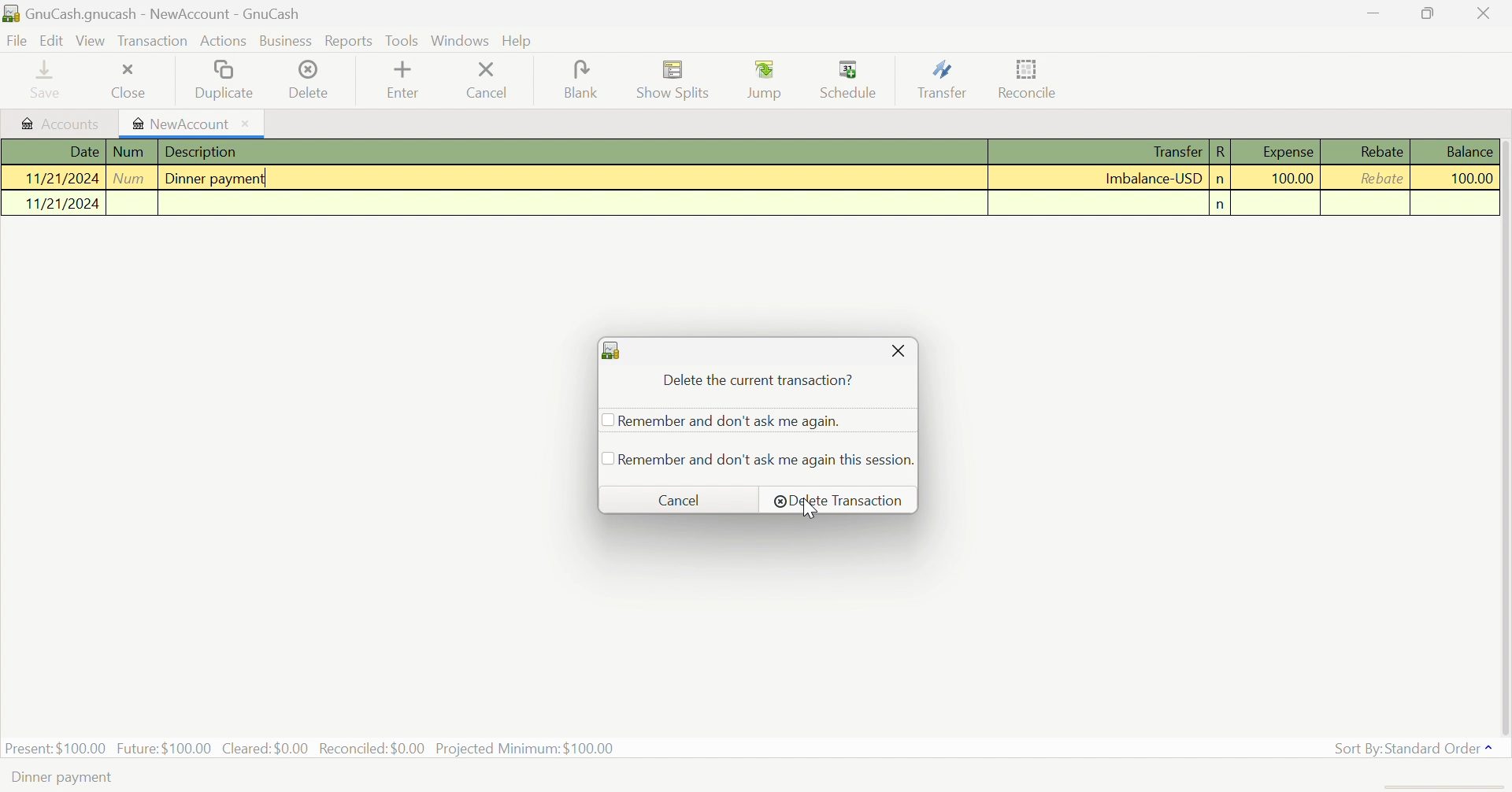 The image size is (1512, 792). Describe the element at coordinates (461, 40) in the screenshot. I see `Windows` at that location.